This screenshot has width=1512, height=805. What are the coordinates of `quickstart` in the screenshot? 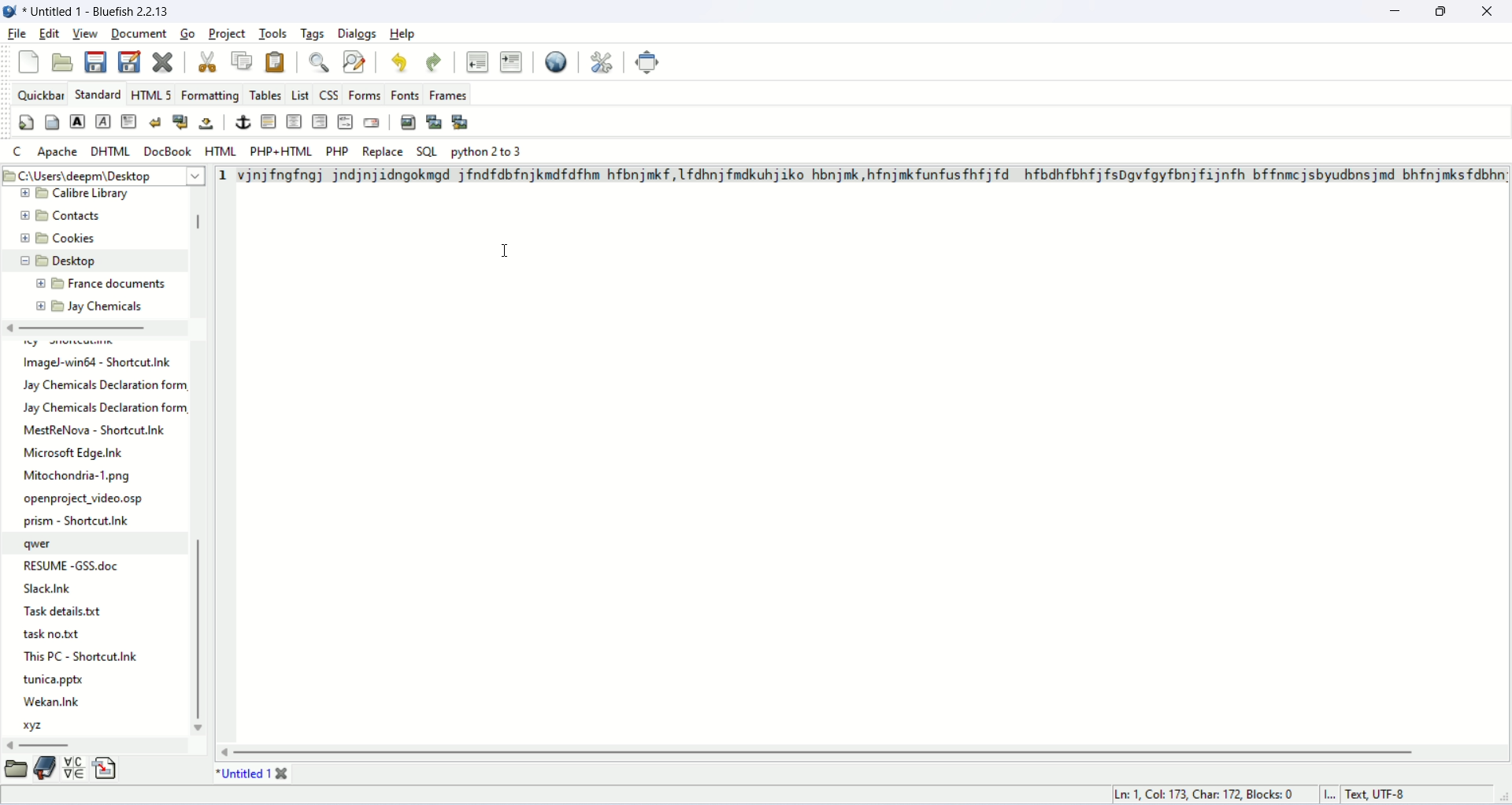 It's located at (27, 122).